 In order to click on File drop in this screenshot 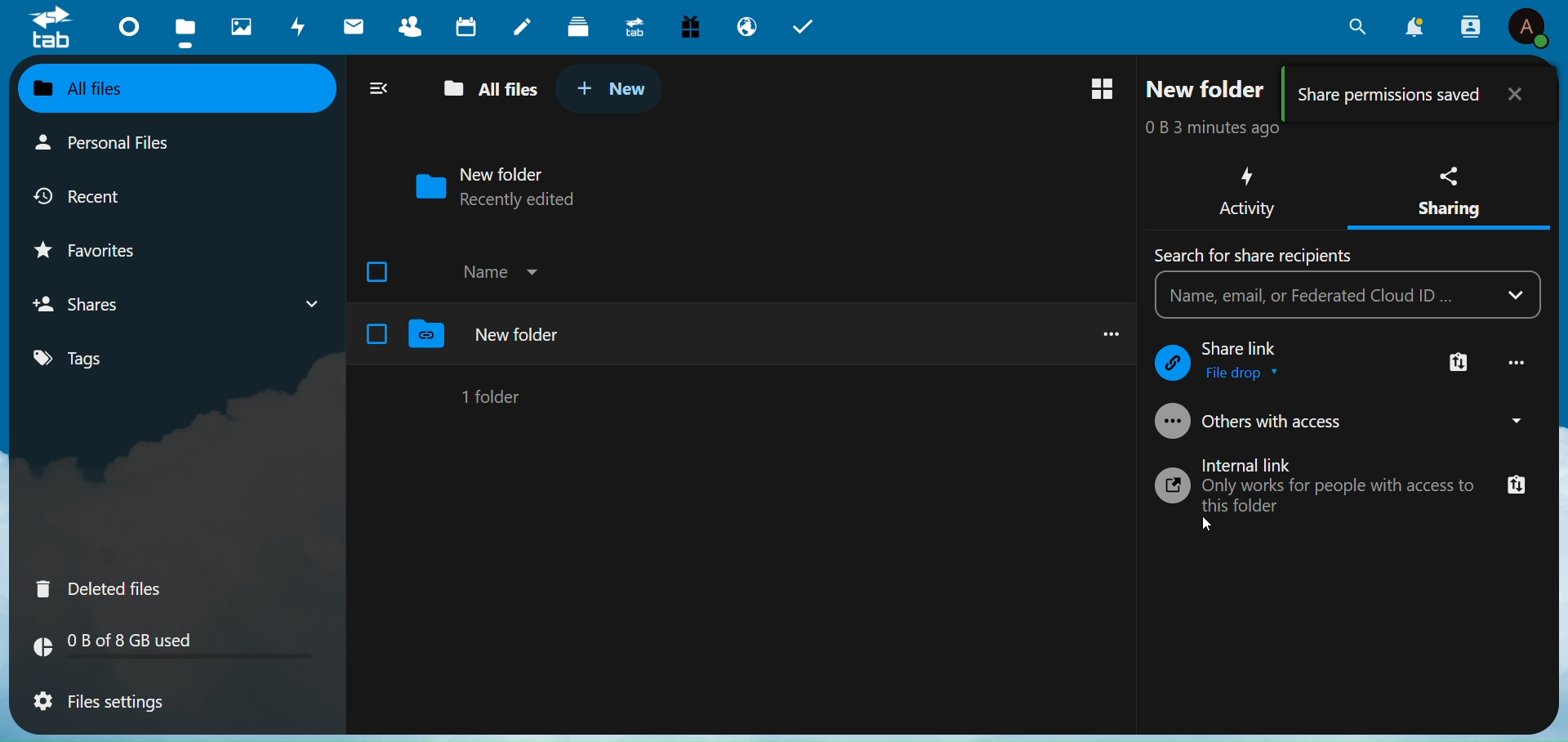, I will do `click(1246, 373)`.